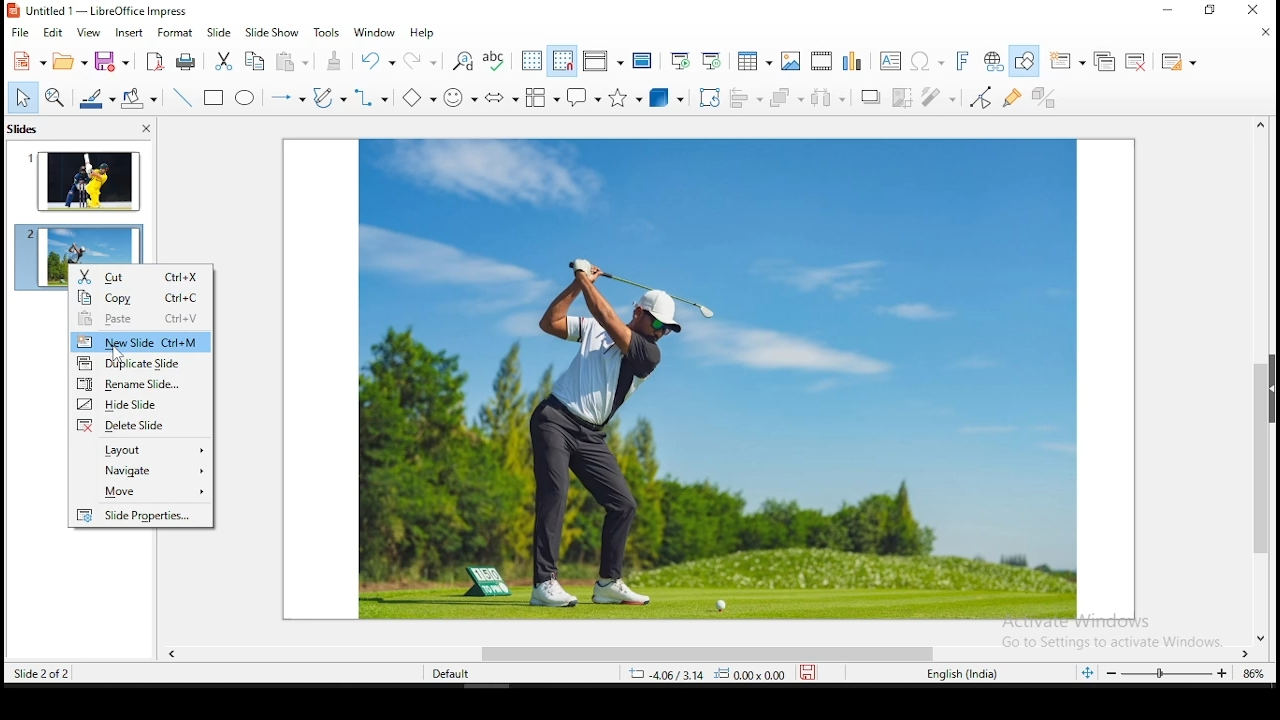  Describe the element at coordinates (788, 98) in the screenshot. I see `arrange` at that location.